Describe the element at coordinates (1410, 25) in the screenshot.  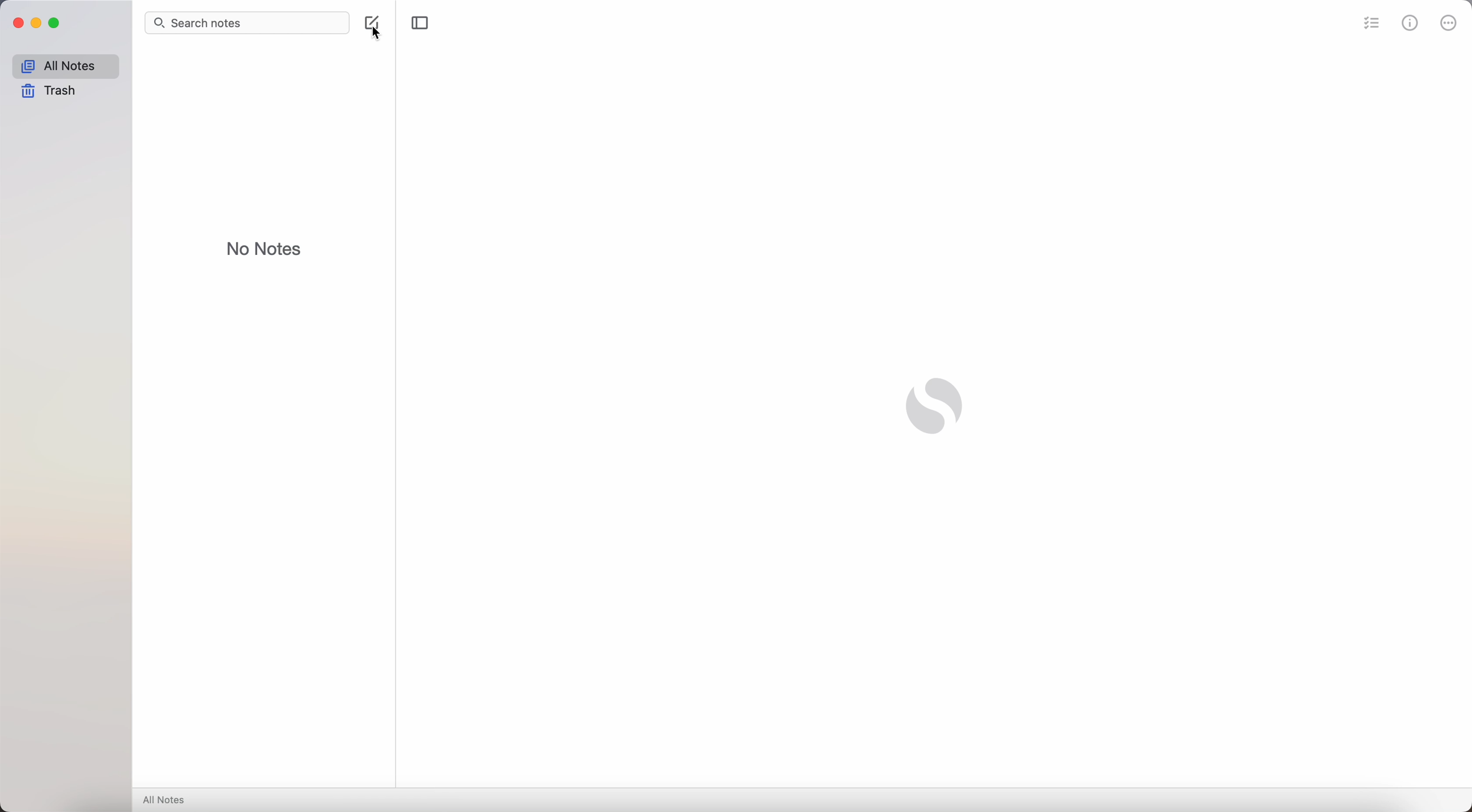
I see `metrics` at that location.